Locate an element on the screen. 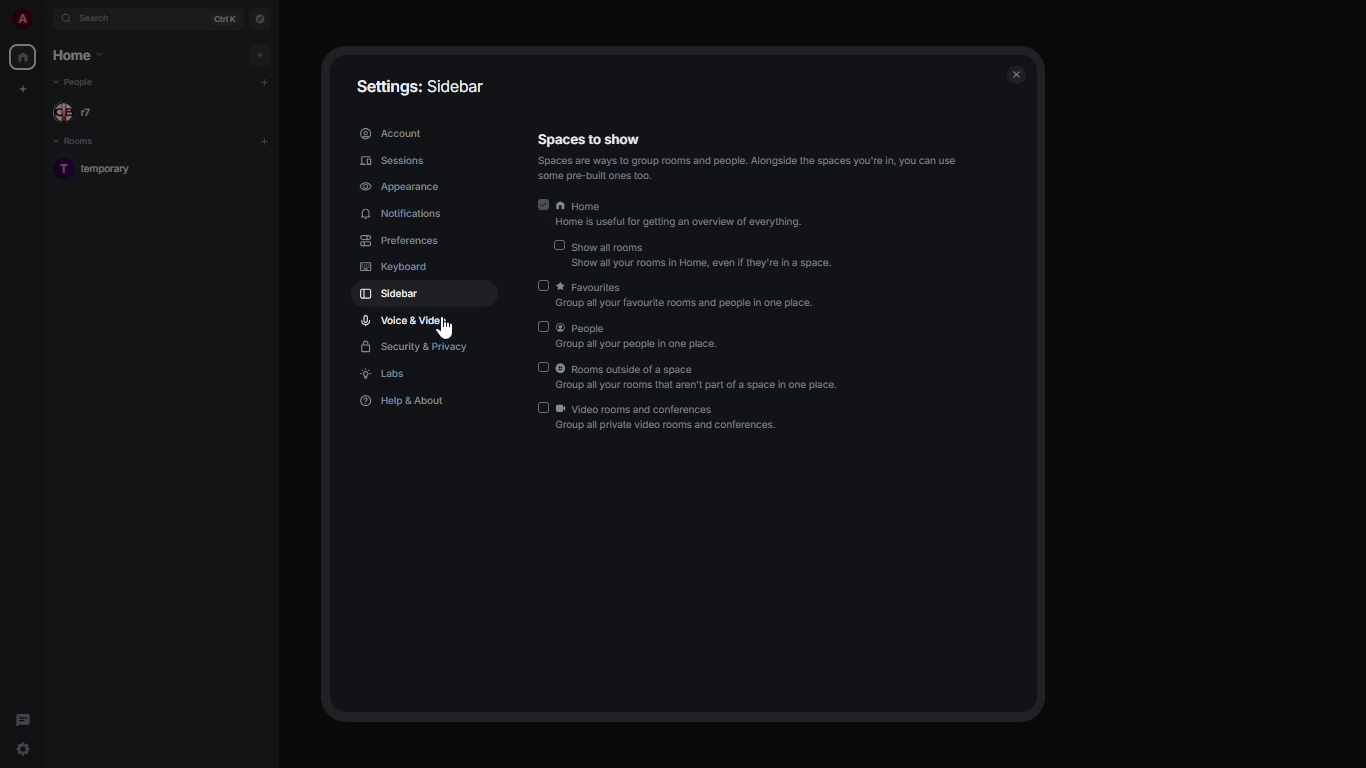  navigator is located at coordinates (258, 19).